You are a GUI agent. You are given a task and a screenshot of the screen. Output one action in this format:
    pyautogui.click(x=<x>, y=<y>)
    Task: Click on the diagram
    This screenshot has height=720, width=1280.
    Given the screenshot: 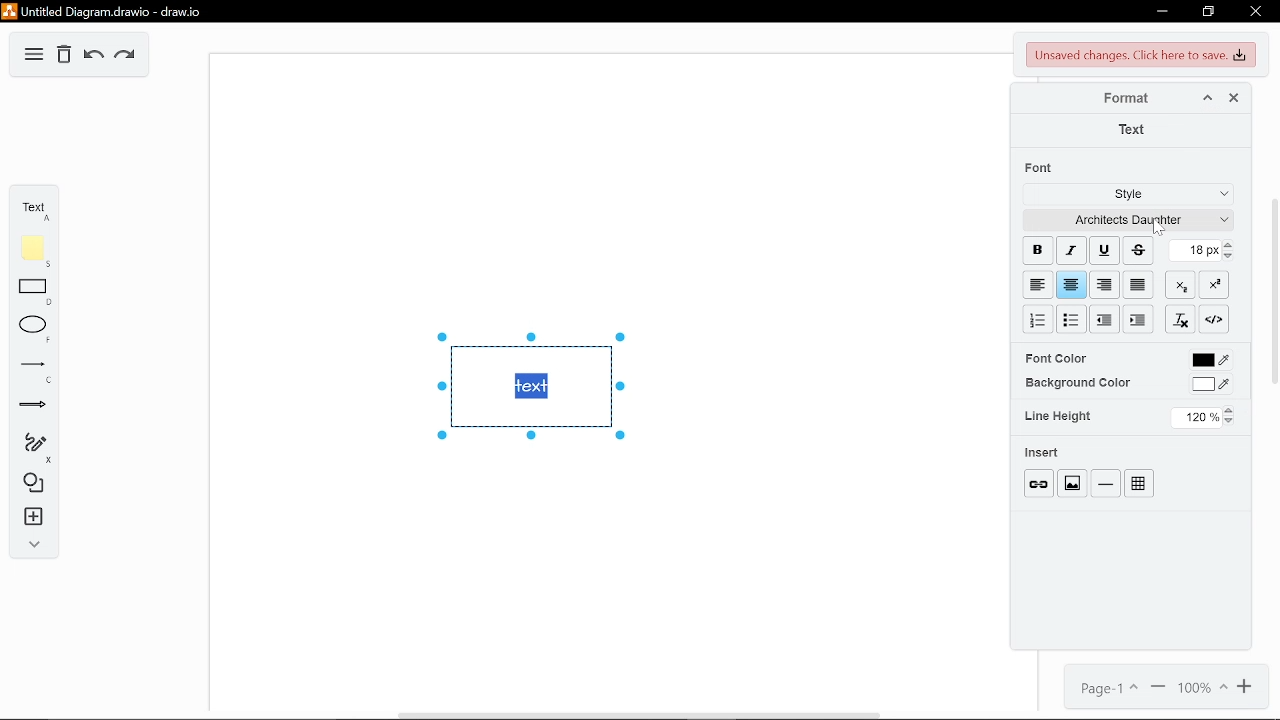 What is the action you would take?
    pyautogui.click(x=34, y=54)
    